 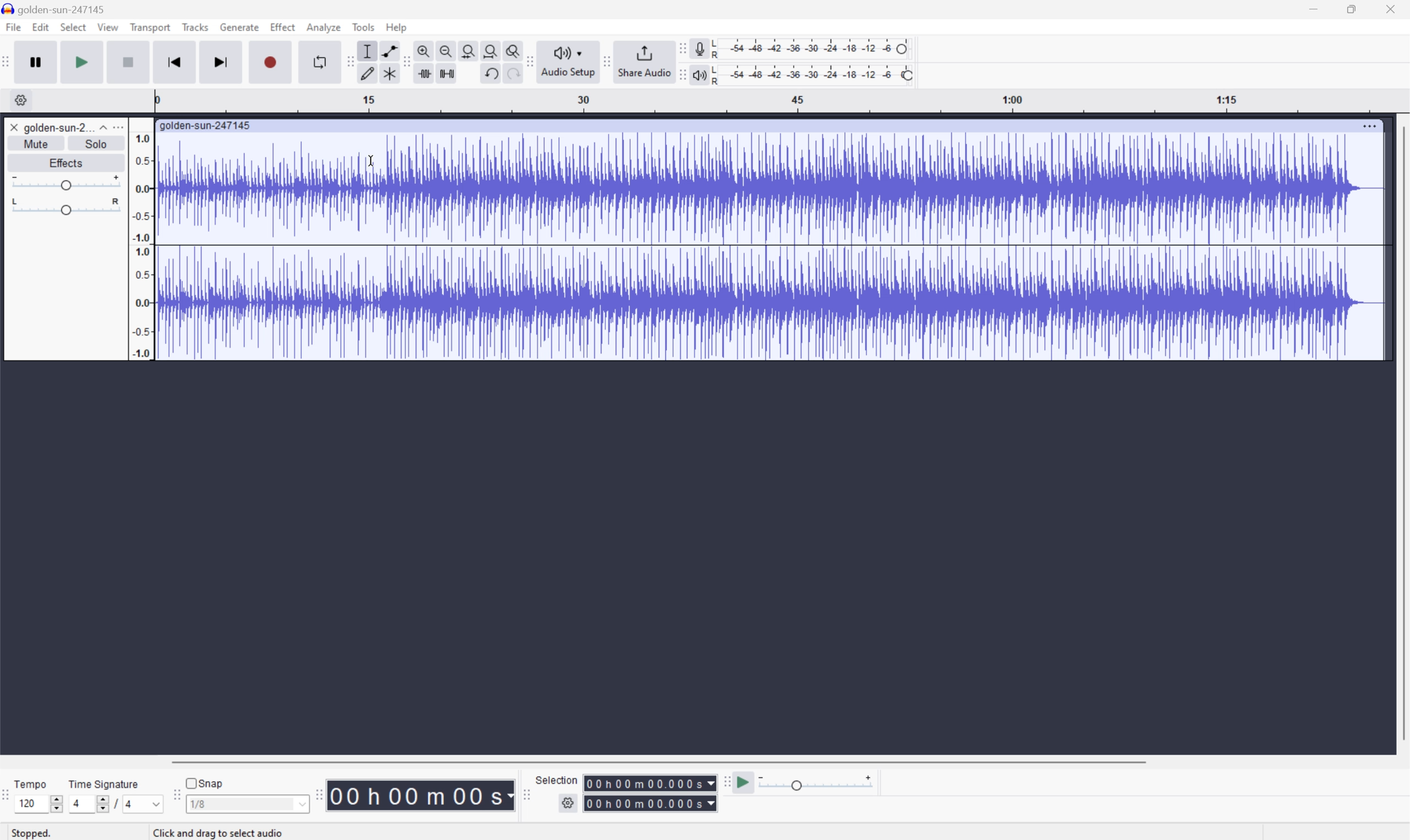 I want to click on Scroll bar, so click(x=656, y=761).